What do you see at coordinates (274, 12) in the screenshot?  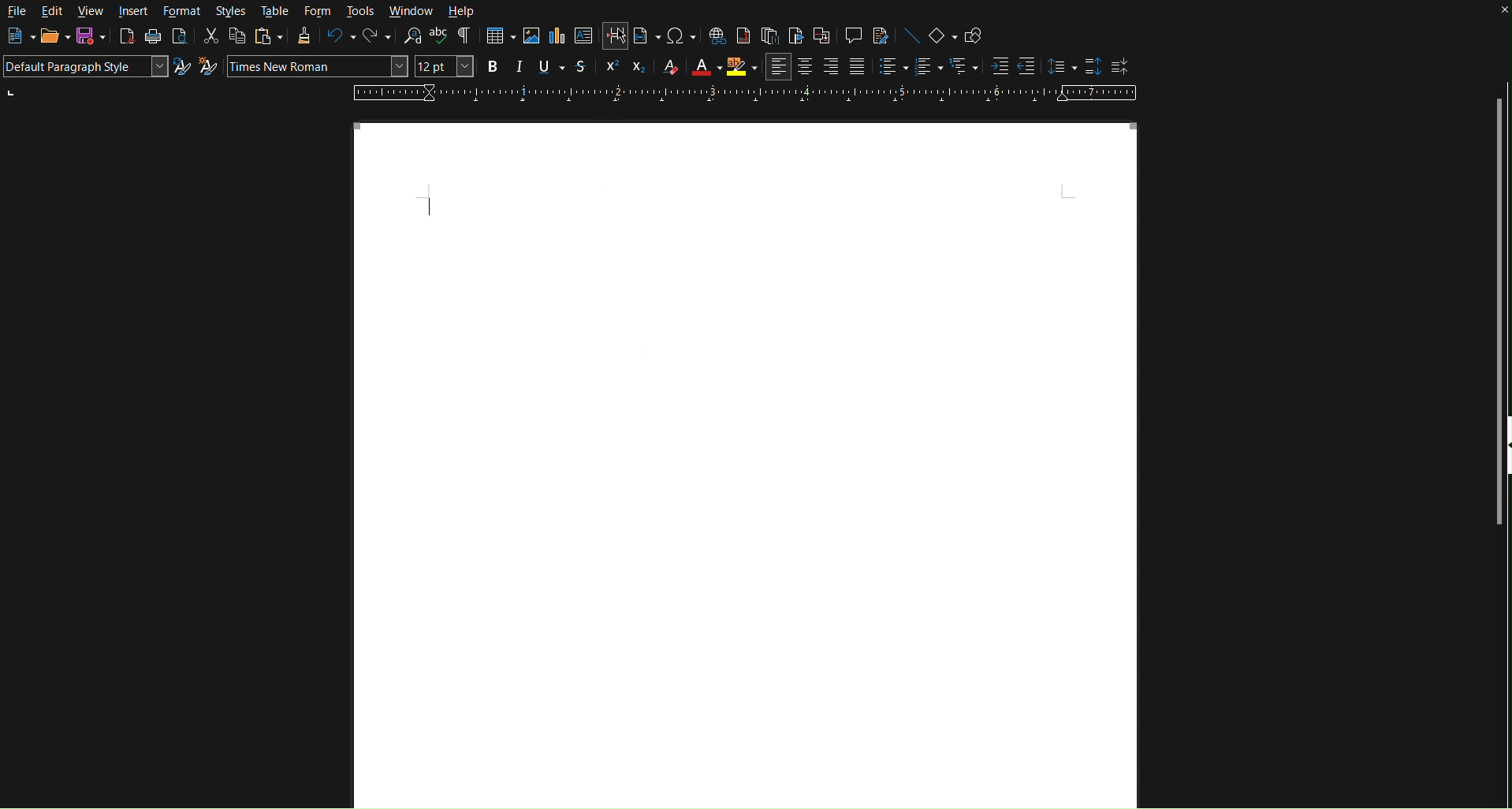 I see `Table` at bounding box center [274, 12].